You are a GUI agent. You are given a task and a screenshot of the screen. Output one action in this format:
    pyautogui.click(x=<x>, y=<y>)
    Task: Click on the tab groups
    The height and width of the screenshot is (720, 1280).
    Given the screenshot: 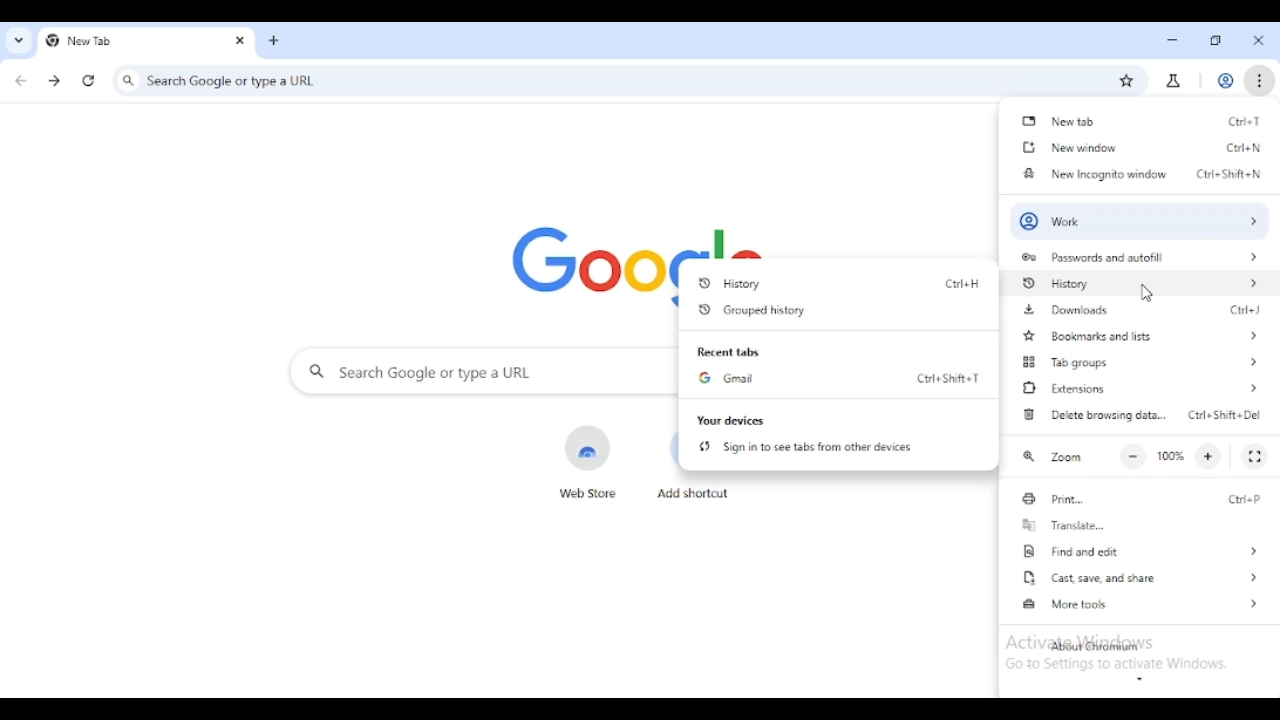 What is the action you would take?
    pyautogui.click(x=1143, y=362)
    